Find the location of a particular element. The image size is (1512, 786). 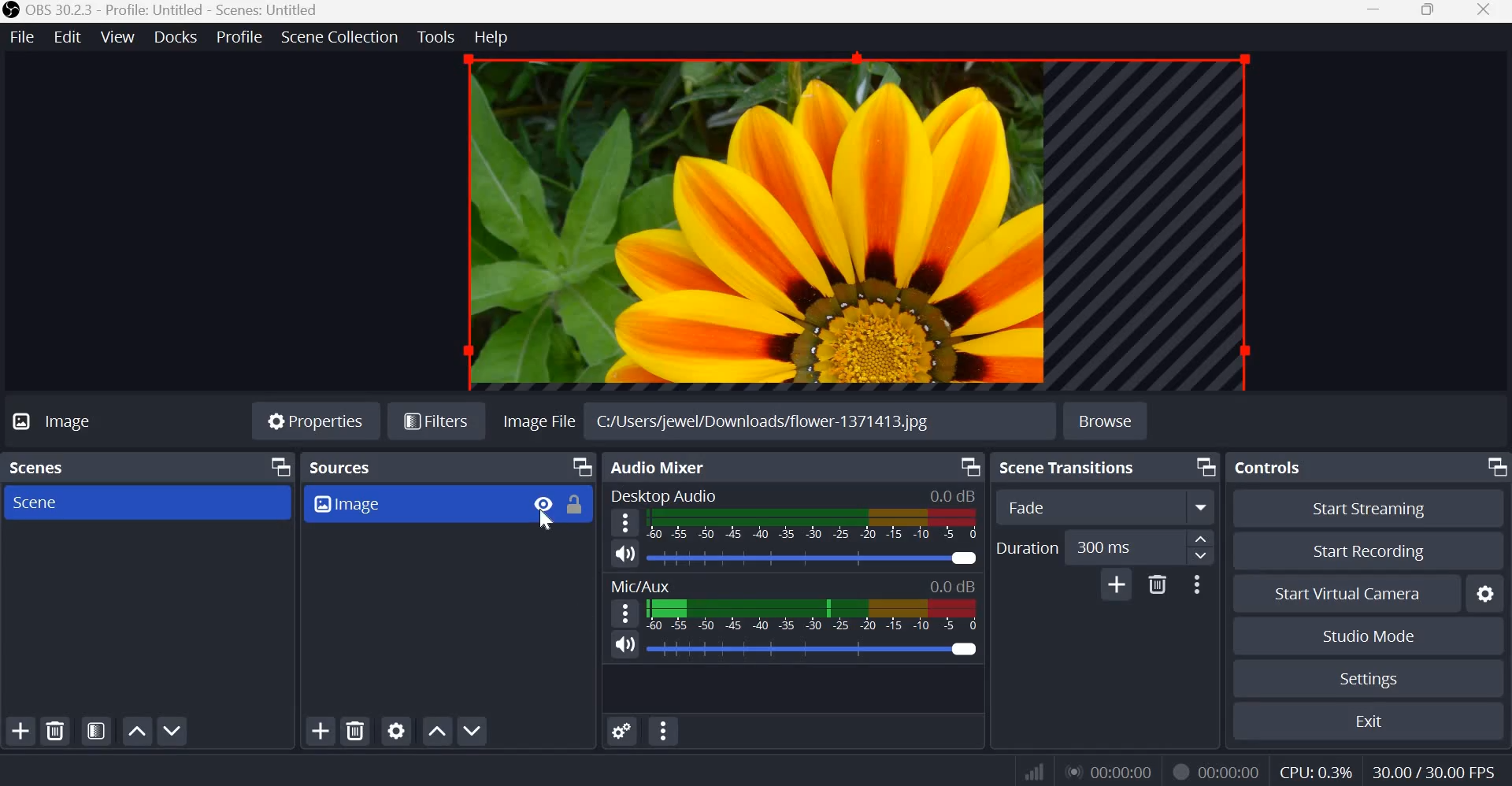

Start Virtual Camera is located at coordinates (1350, 592).